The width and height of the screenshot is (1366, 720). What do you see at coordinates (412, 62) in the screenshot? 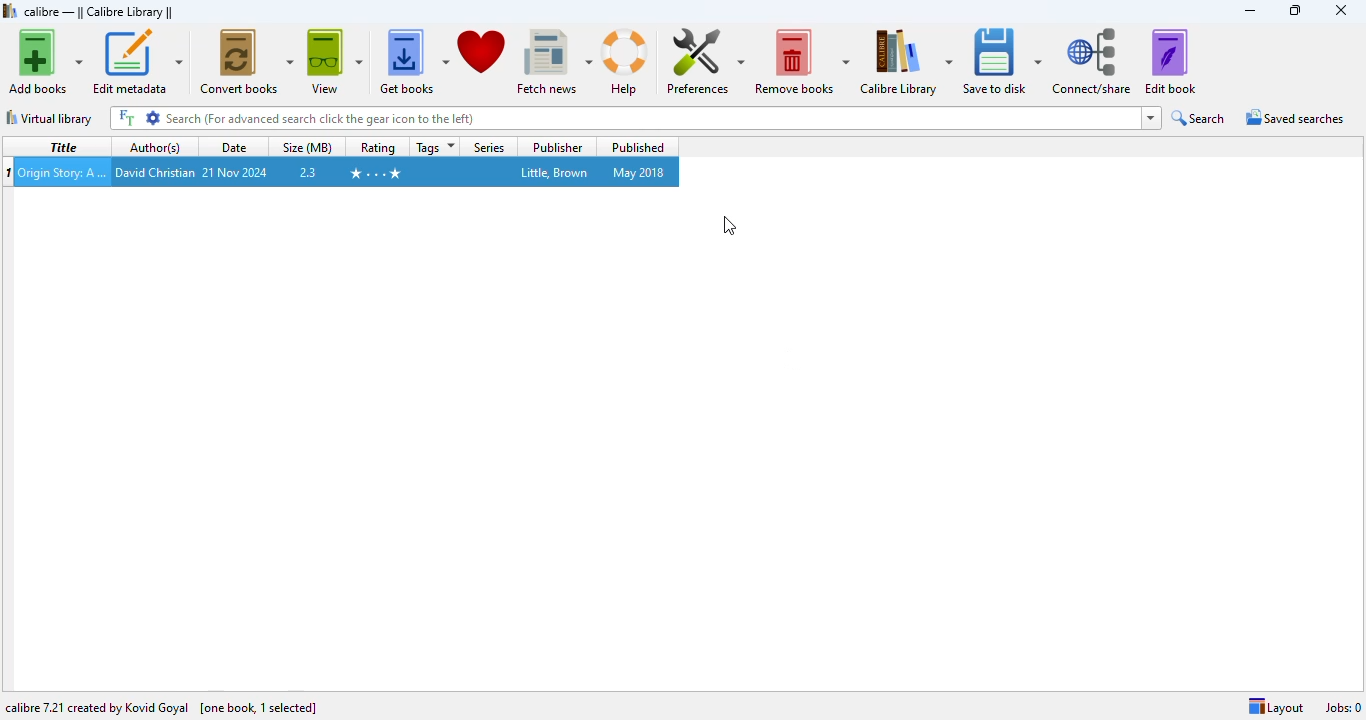
I see `get books` at bounding box center [412, 62].